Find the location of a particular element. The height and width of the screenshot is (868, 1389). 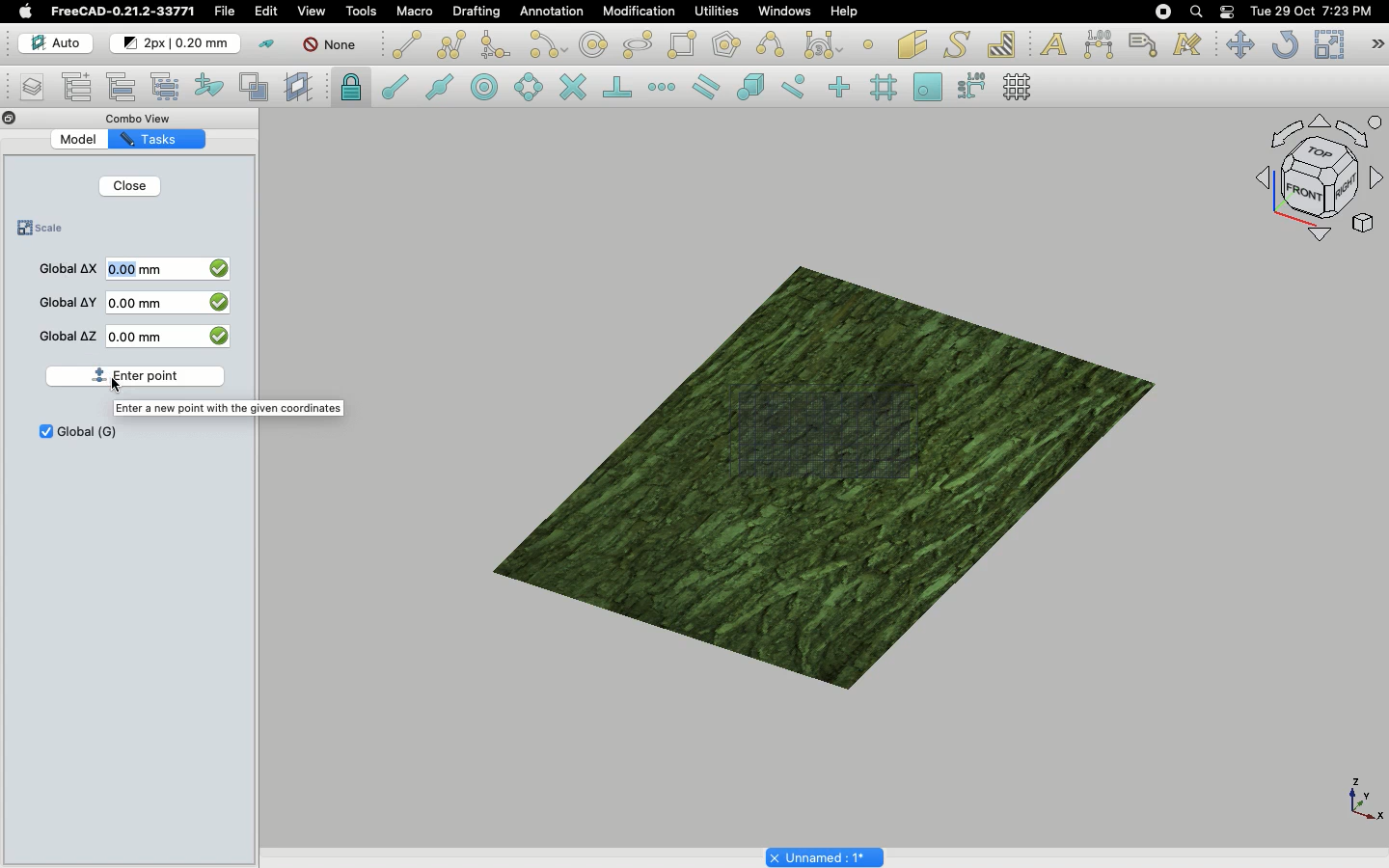

Polyline is located at coordinates (451, 44).